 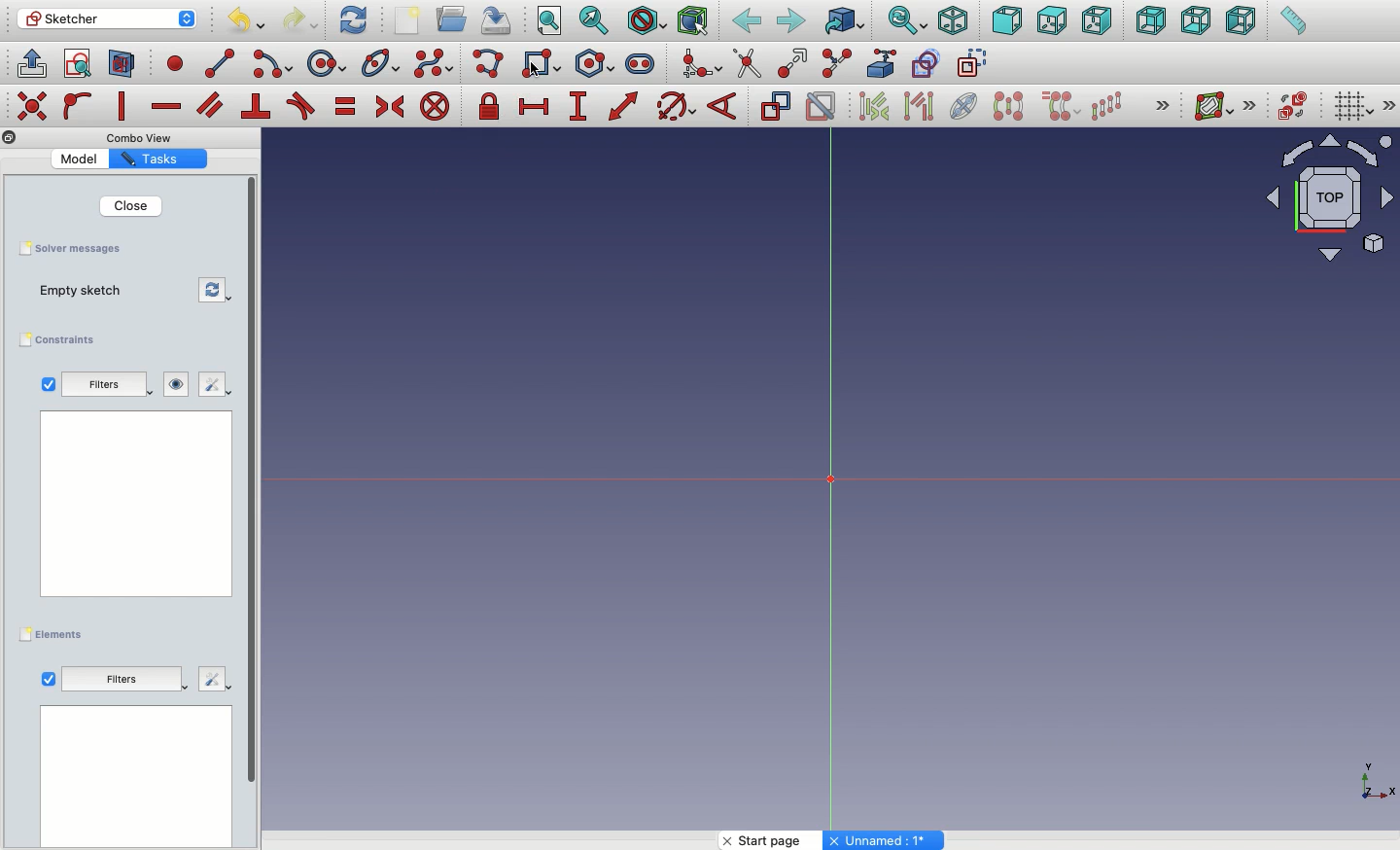 I want to click on Right, so click(x=1100, y=20).